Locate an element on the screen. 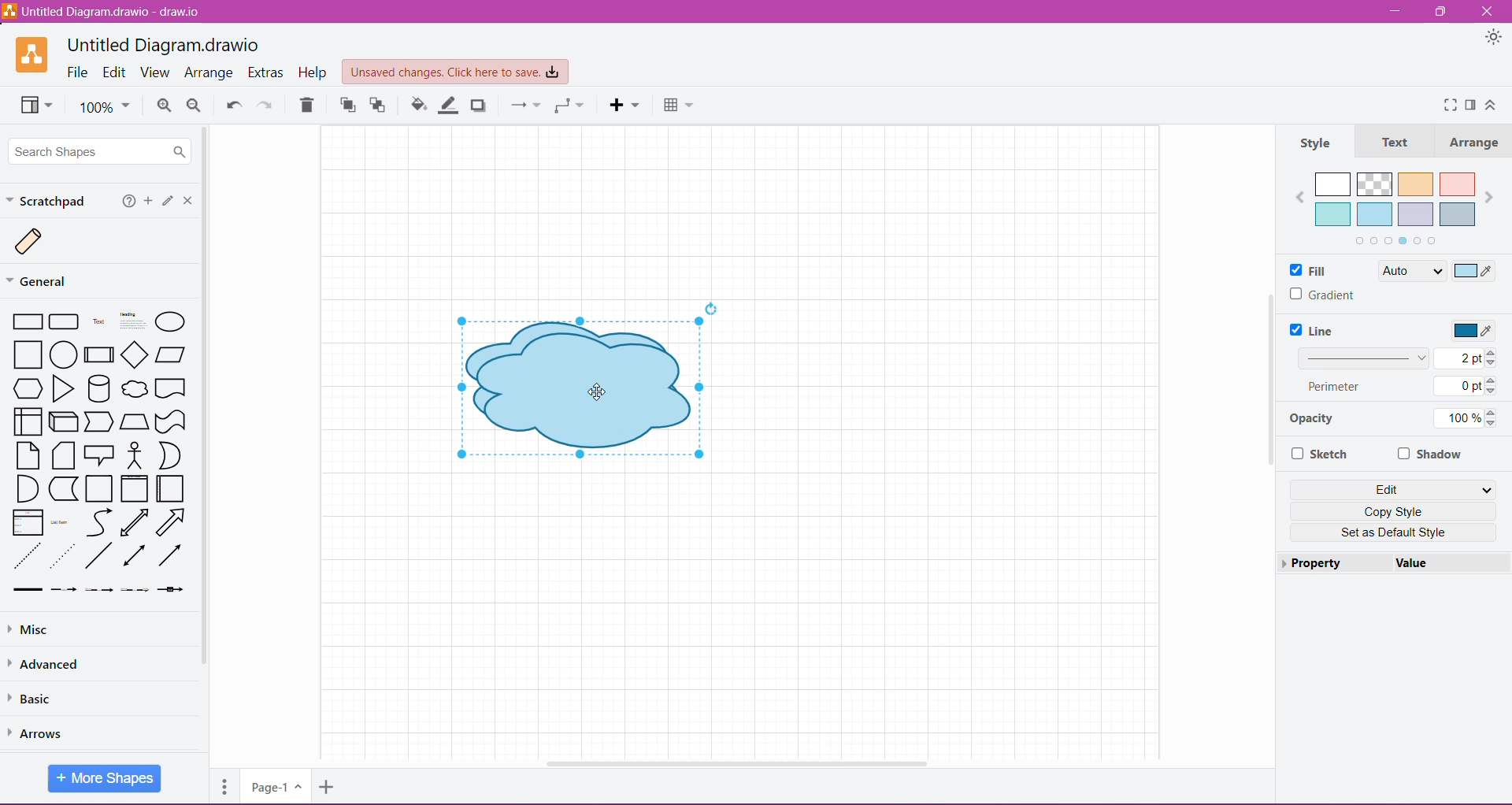 This screenshot has width=1512, height=805. Perimeter 0 pt is located at coordinates (1401, 386).